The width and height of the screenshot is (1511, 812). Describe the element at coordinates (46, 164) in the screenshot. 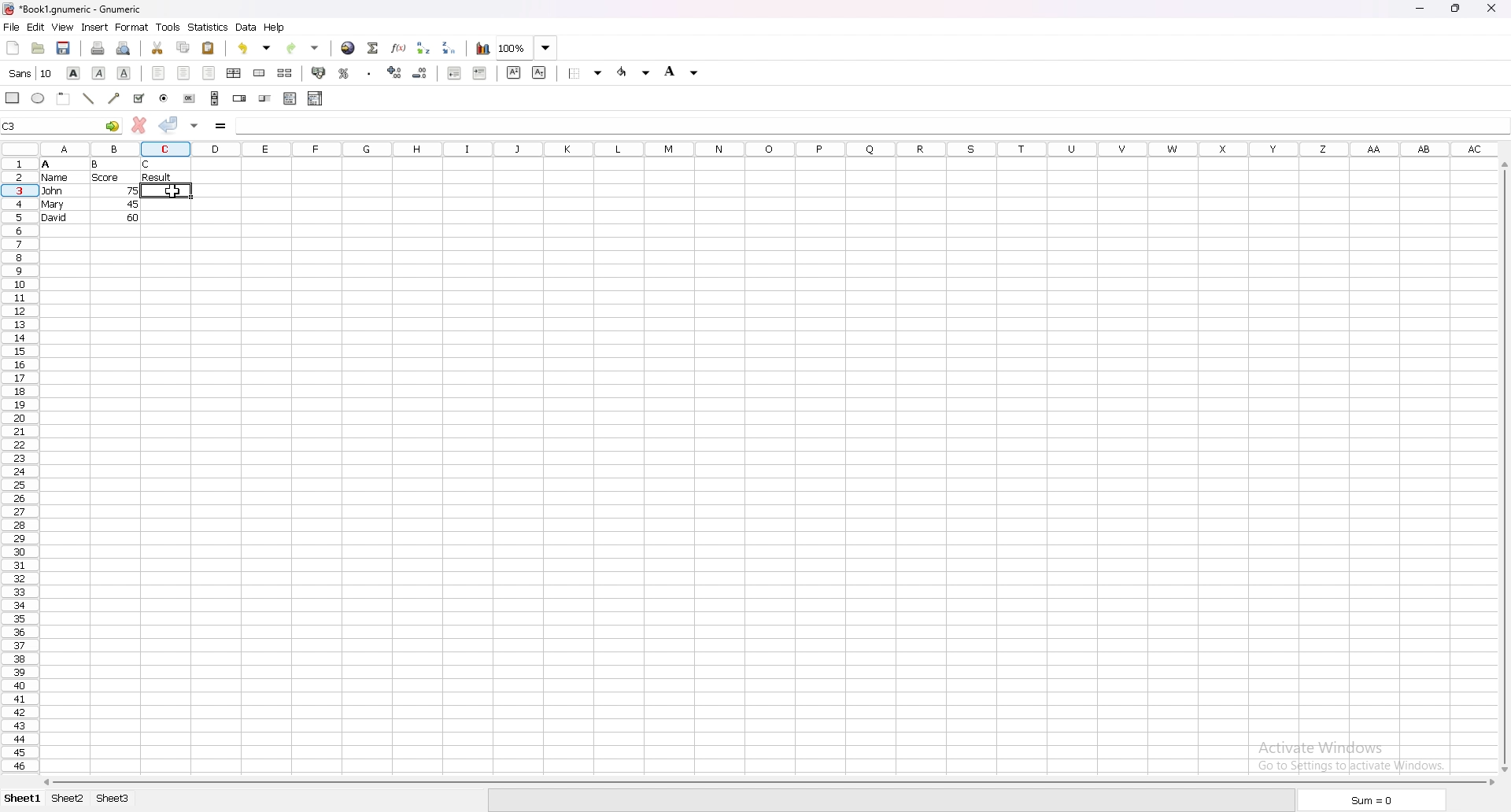

I see `a` at that location.